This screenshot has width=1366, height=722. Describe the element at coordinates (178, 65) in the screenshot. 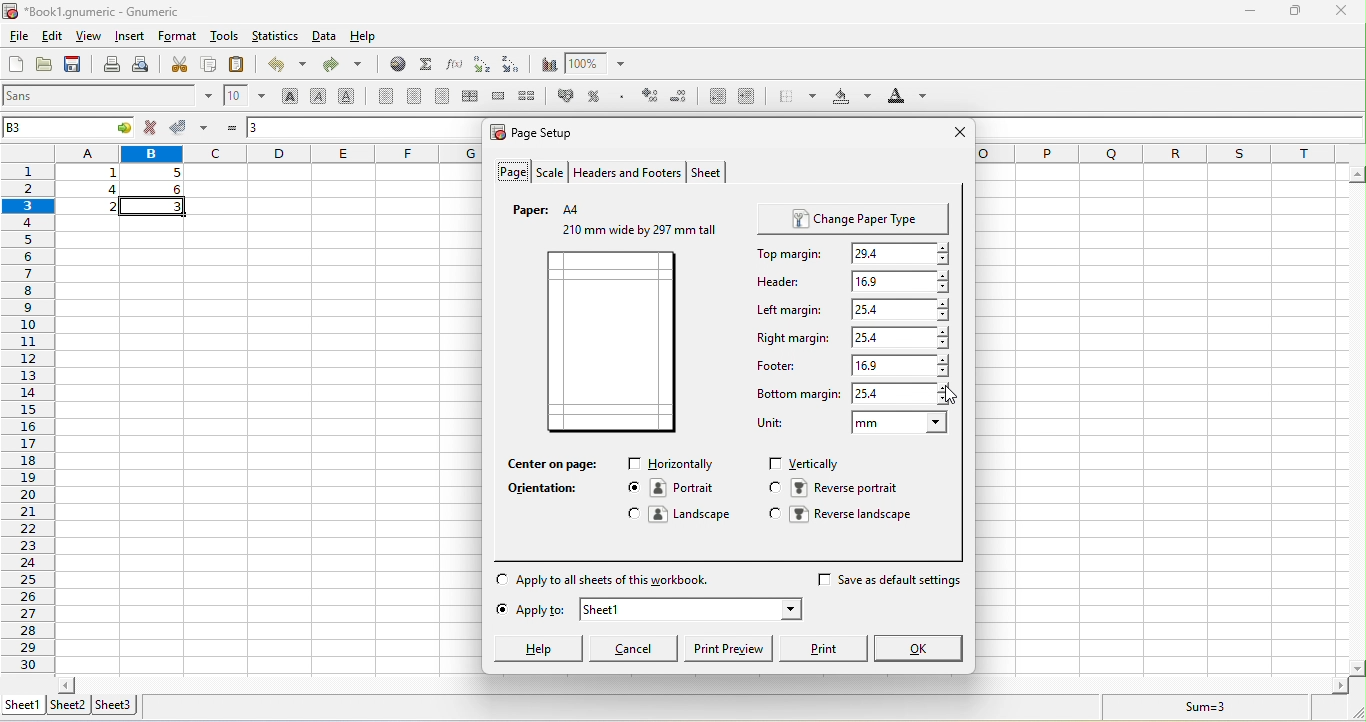

I see `cut` at that location.